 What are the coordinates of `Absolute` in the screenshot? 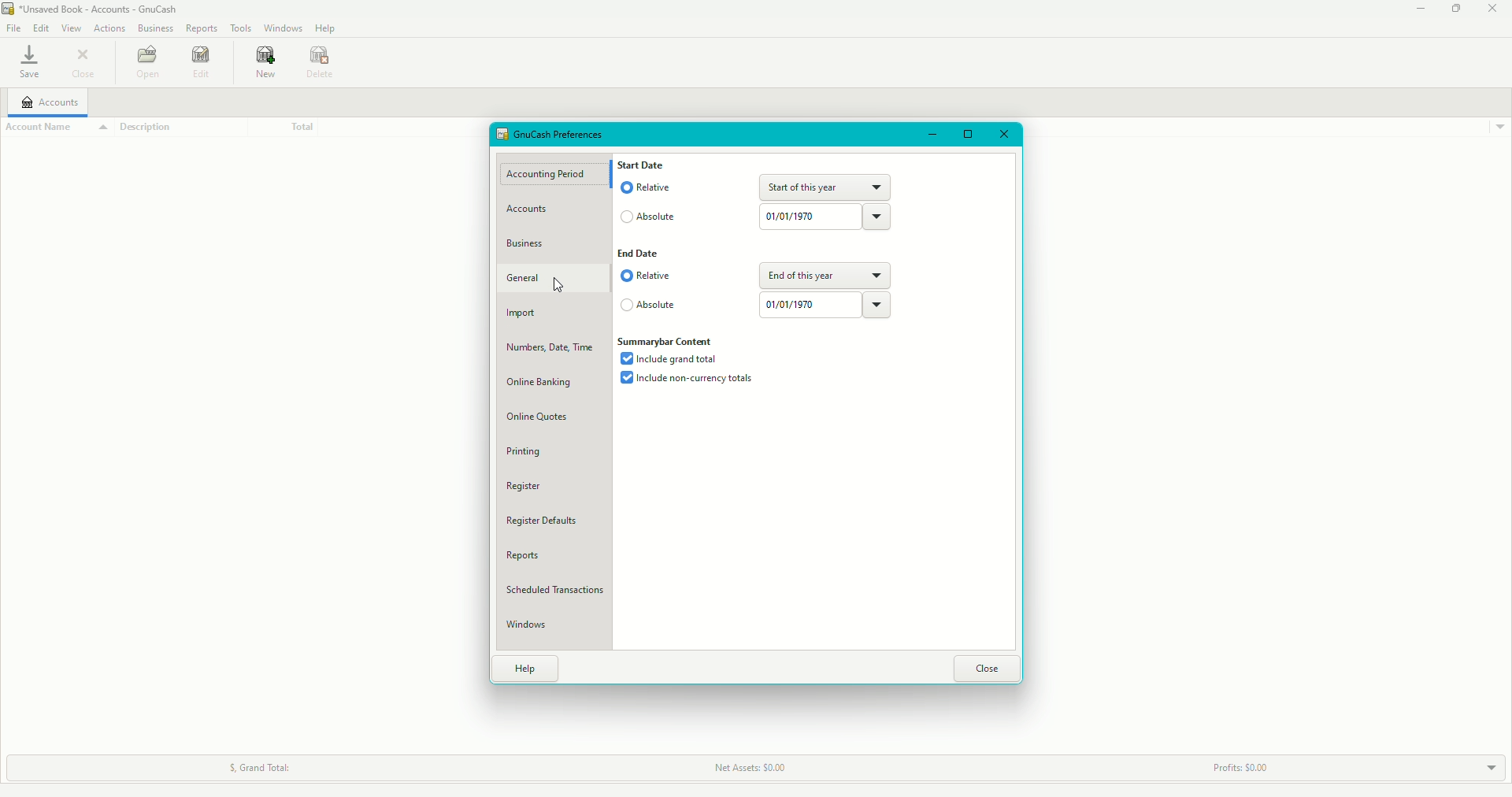 It's located at (654, 217).